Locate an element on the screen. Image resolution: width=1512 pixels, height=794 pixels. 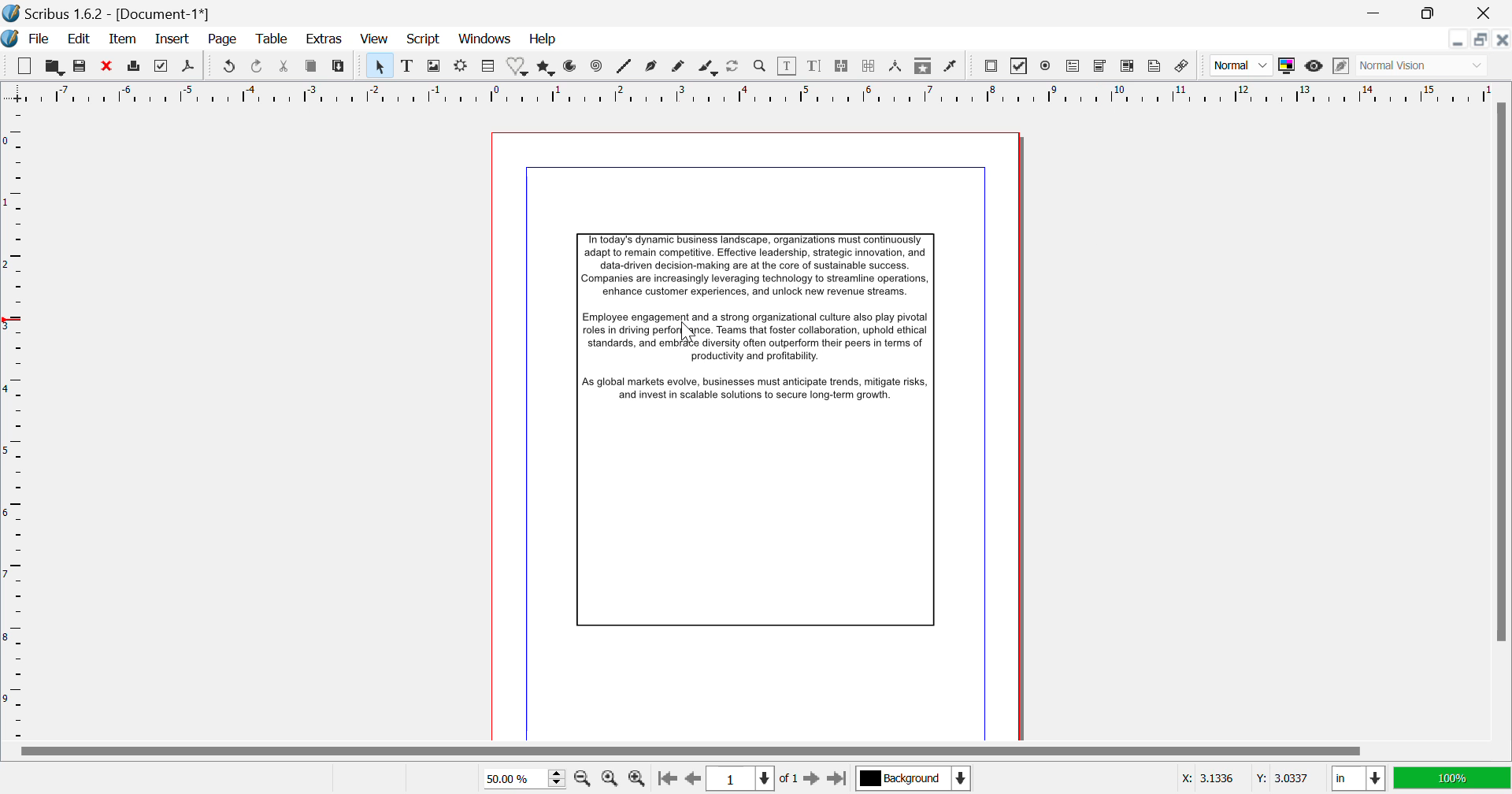
Pdf Push button is located at coordinates (991, 65).